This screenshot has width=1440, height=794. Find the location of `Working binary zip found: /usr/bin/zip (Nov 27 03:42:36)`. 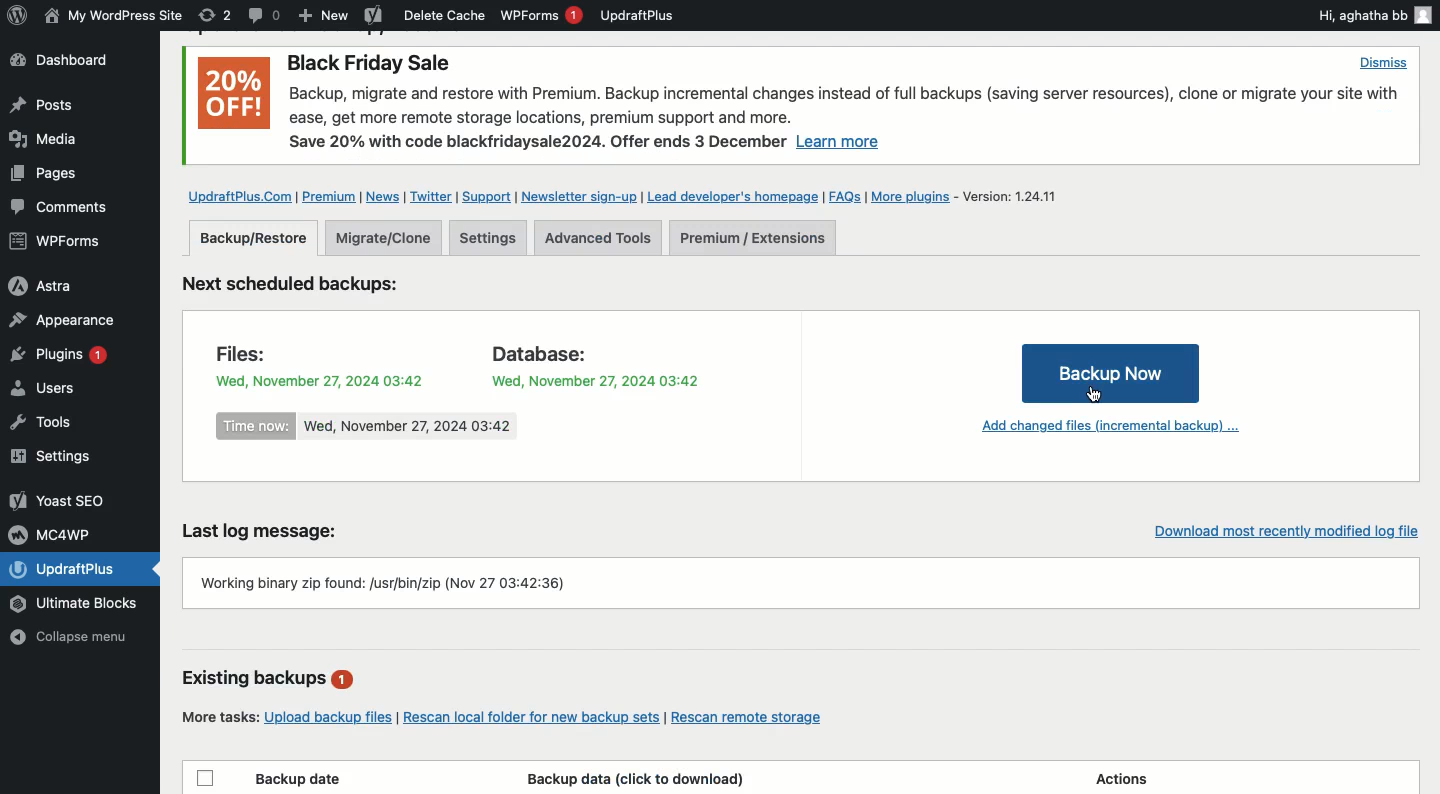

Working binary zip found: /usr/bin/zip (Nov 27 03:42:36) is located at coordinates (802, 581).